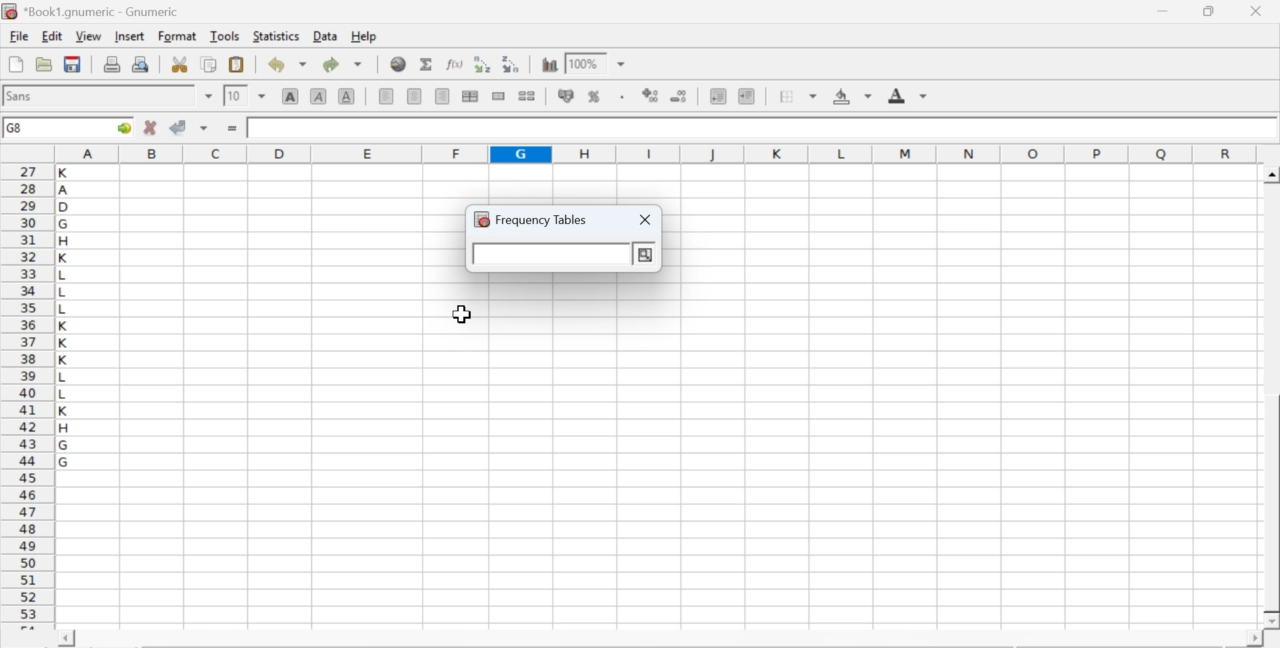  Describe the element at coordinates (42, 64) in the screenshot. I see `open` at that location.